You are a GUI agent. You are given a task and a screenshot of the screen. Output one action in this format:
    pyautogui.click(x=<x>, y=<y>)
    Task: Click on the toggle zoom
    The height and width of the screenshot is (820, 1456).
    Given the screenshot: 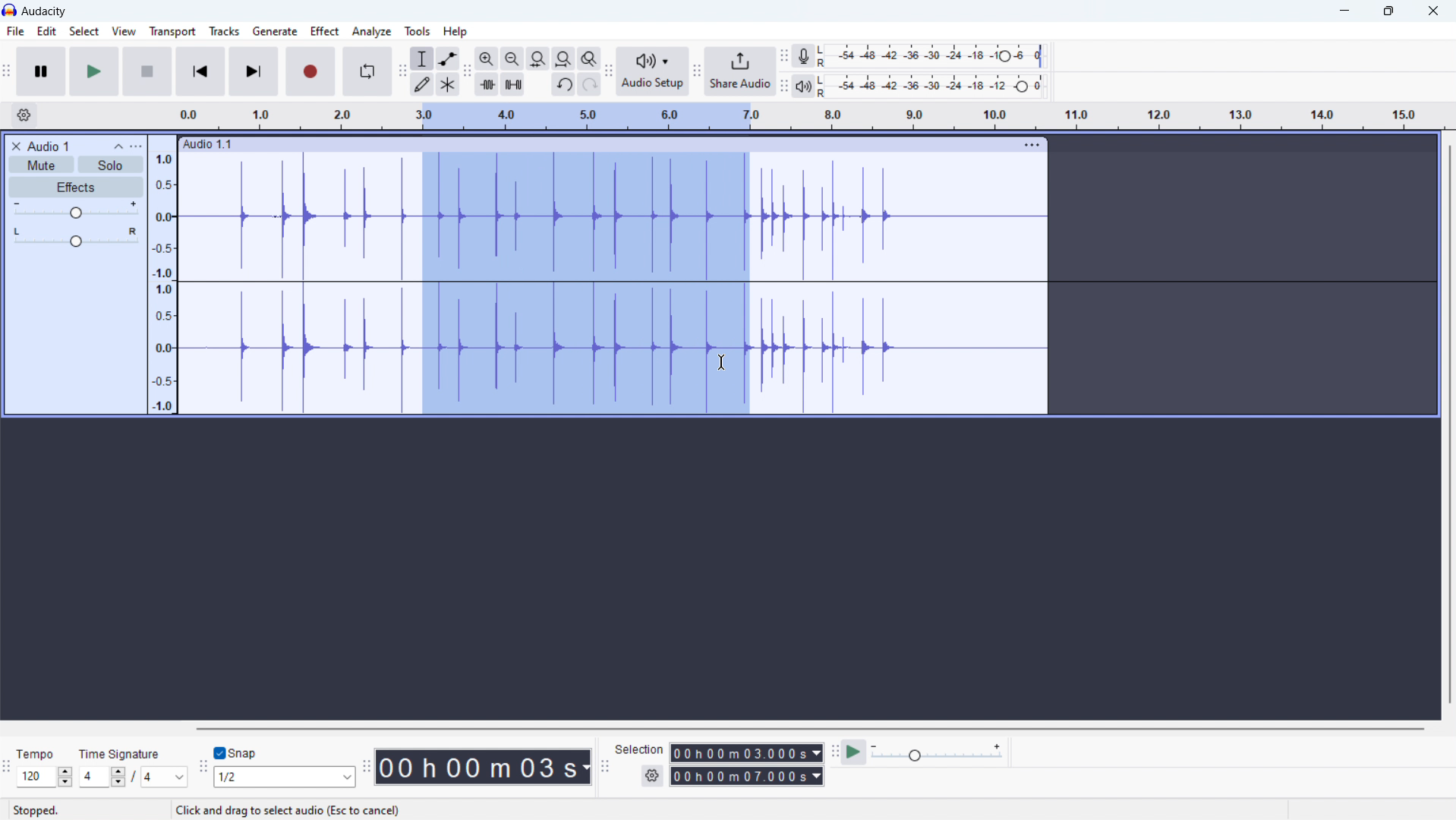 What is the action you would take?
    pyautogui.click(x=590, y=58)
    